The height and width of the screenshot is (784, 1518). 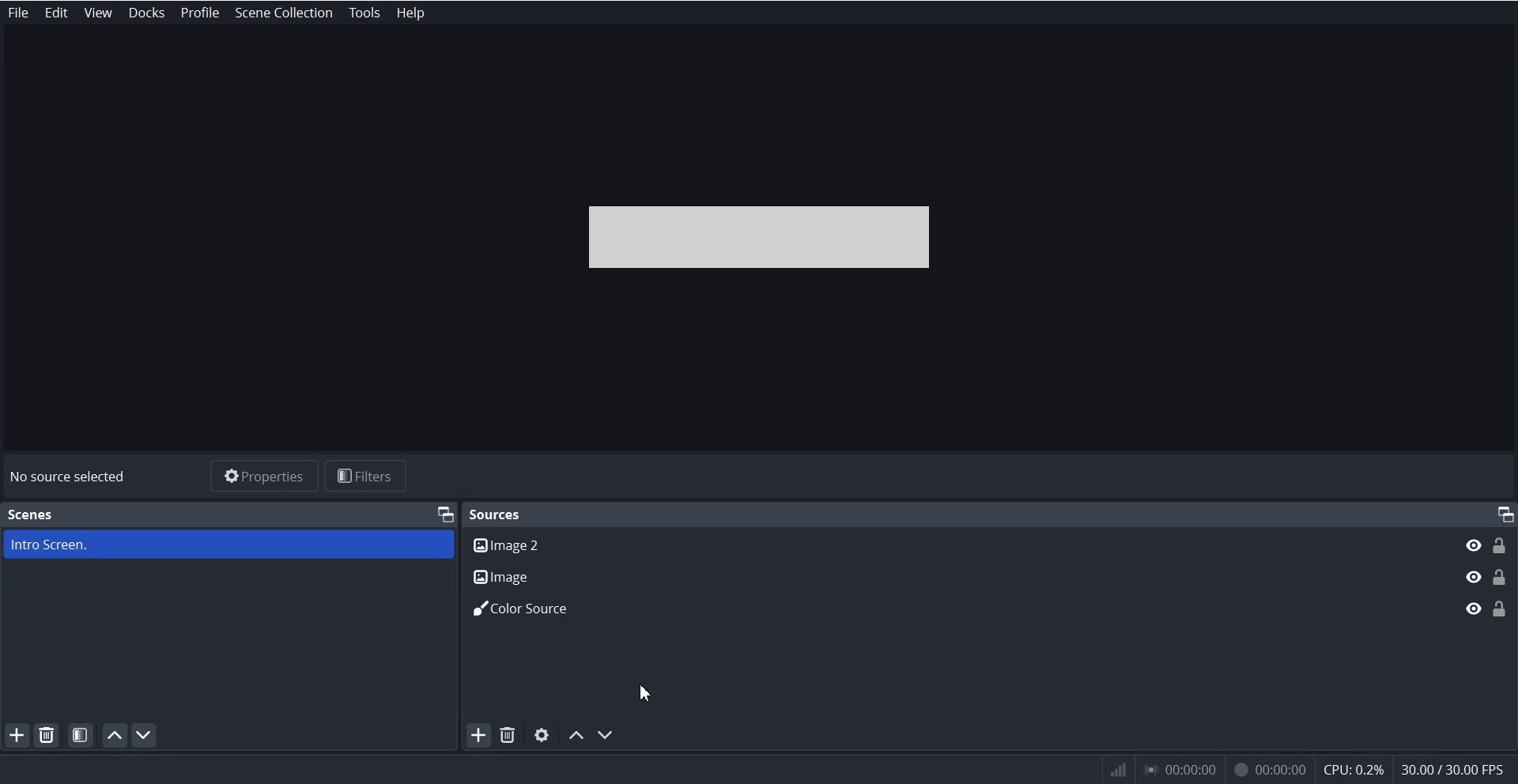 I want to click on network, so click(x=1116, y=770).